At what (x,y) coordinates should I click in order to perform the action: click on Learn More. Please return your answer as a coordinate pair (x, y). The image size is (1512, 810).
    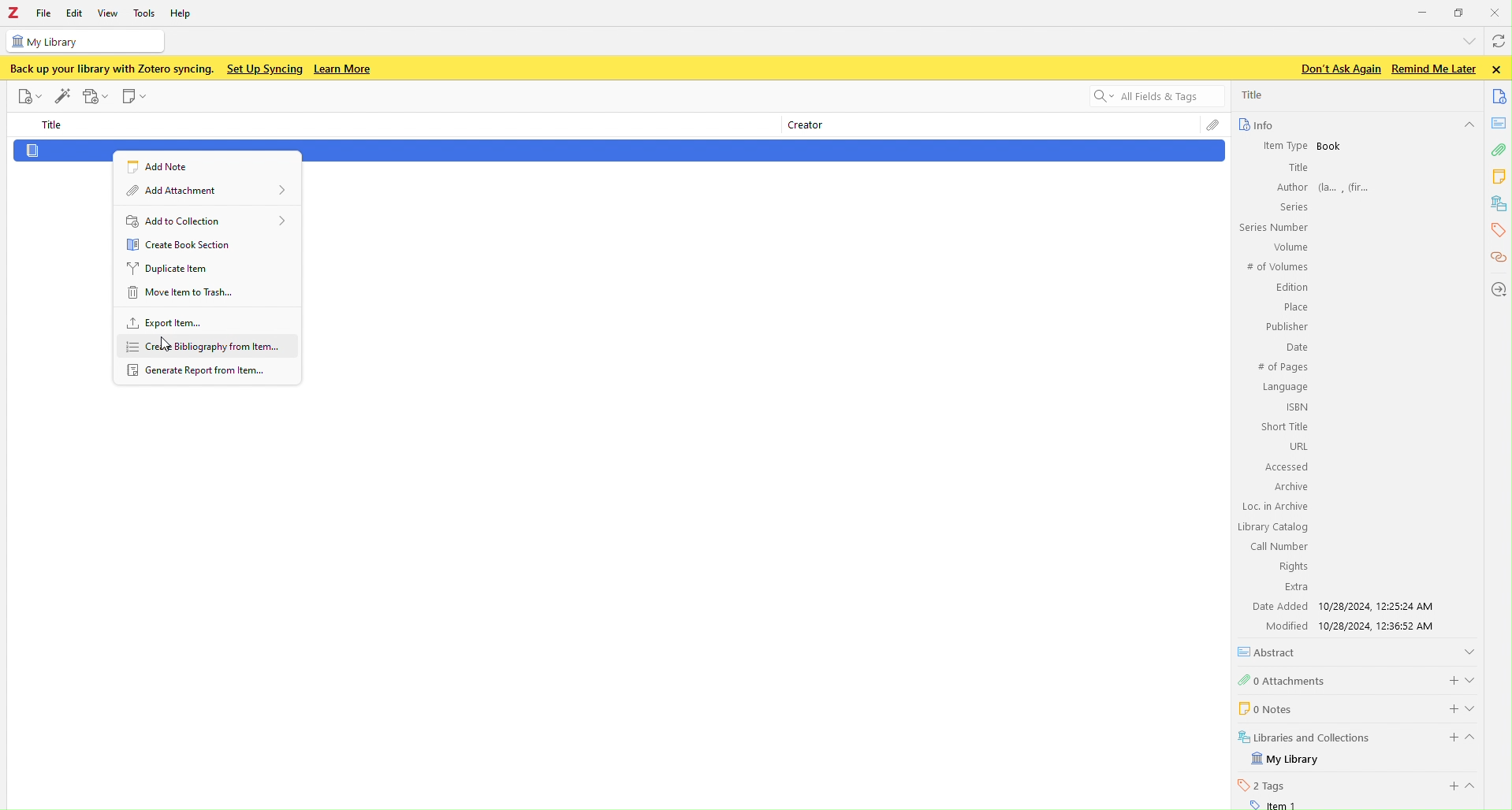
    Looking at the image, I should click on (344, 69).